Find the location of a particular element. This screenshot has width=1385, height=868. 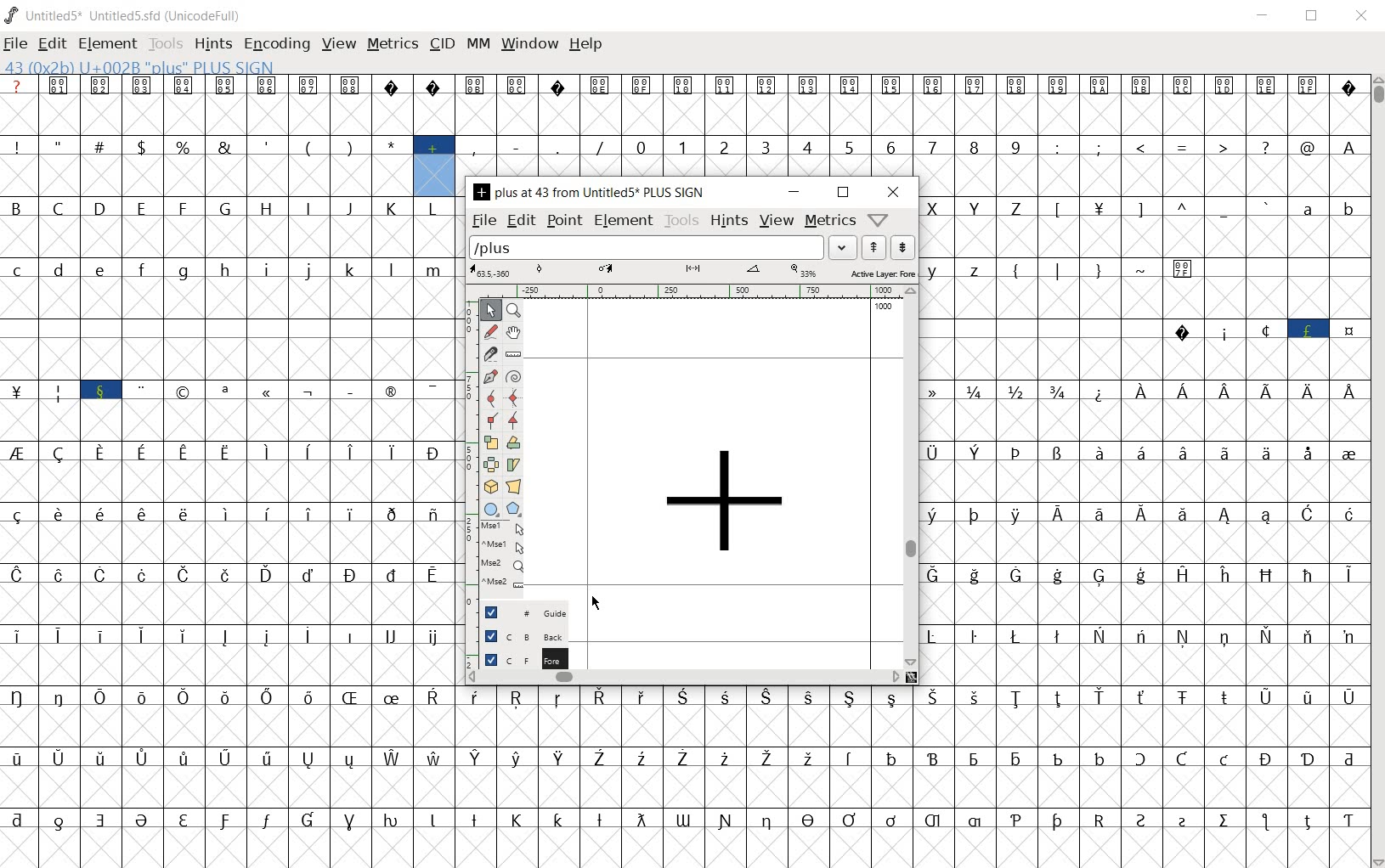

scrollbar is located at coordinates (913, 479).